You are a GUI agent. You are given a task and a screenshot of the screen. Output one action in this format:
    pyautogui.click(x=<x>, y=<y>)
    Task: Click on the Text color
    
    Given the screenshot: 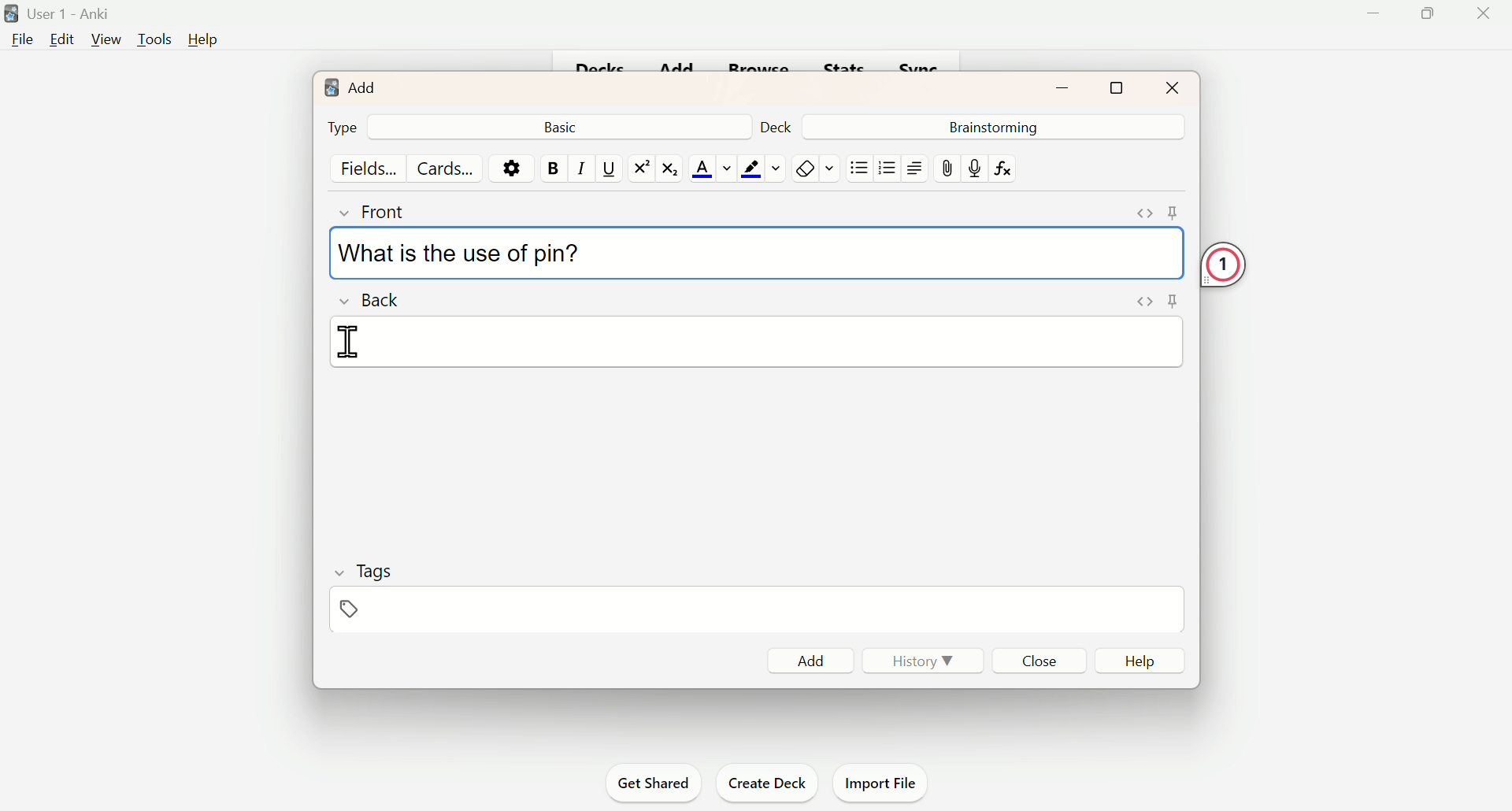 What is the action you would take?
    pyautogui.click(x=712, y=168)
    